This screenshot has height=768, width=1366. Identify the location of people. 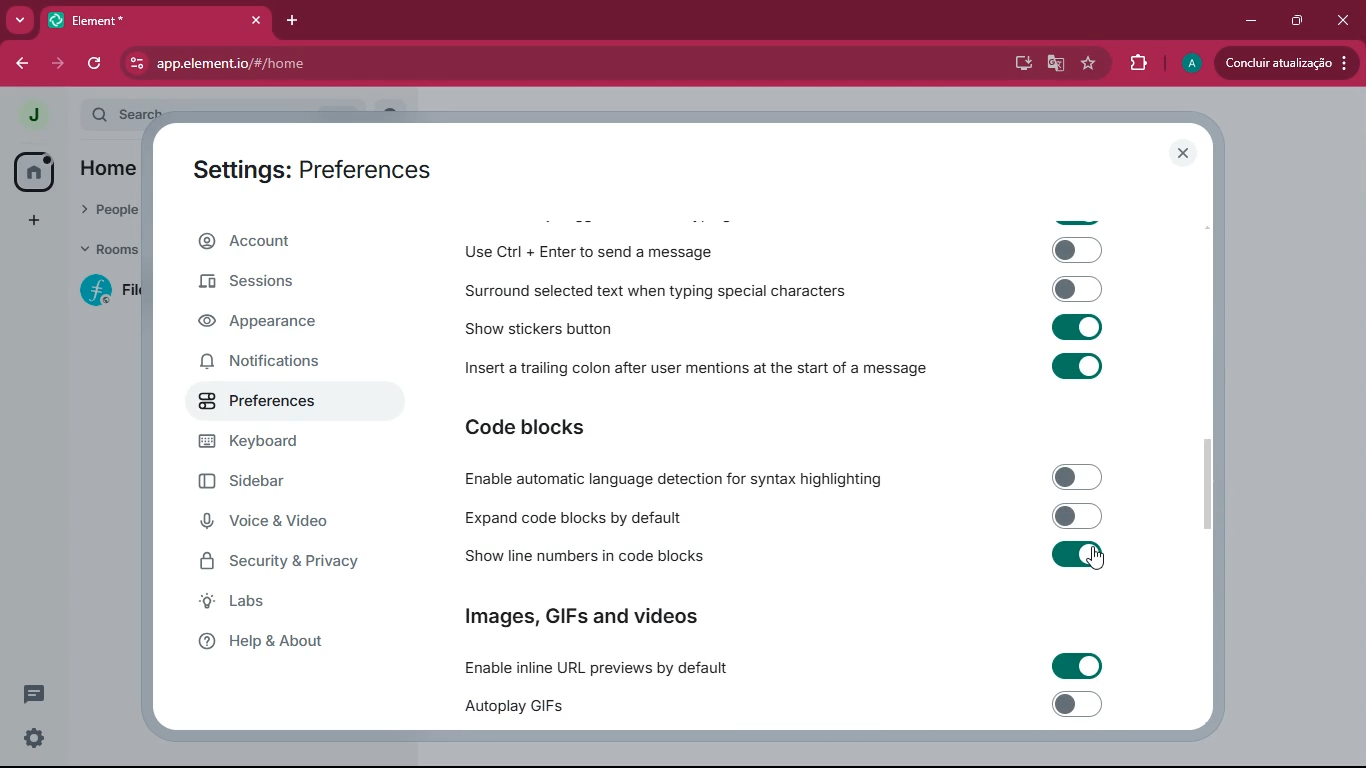
(105, 208).